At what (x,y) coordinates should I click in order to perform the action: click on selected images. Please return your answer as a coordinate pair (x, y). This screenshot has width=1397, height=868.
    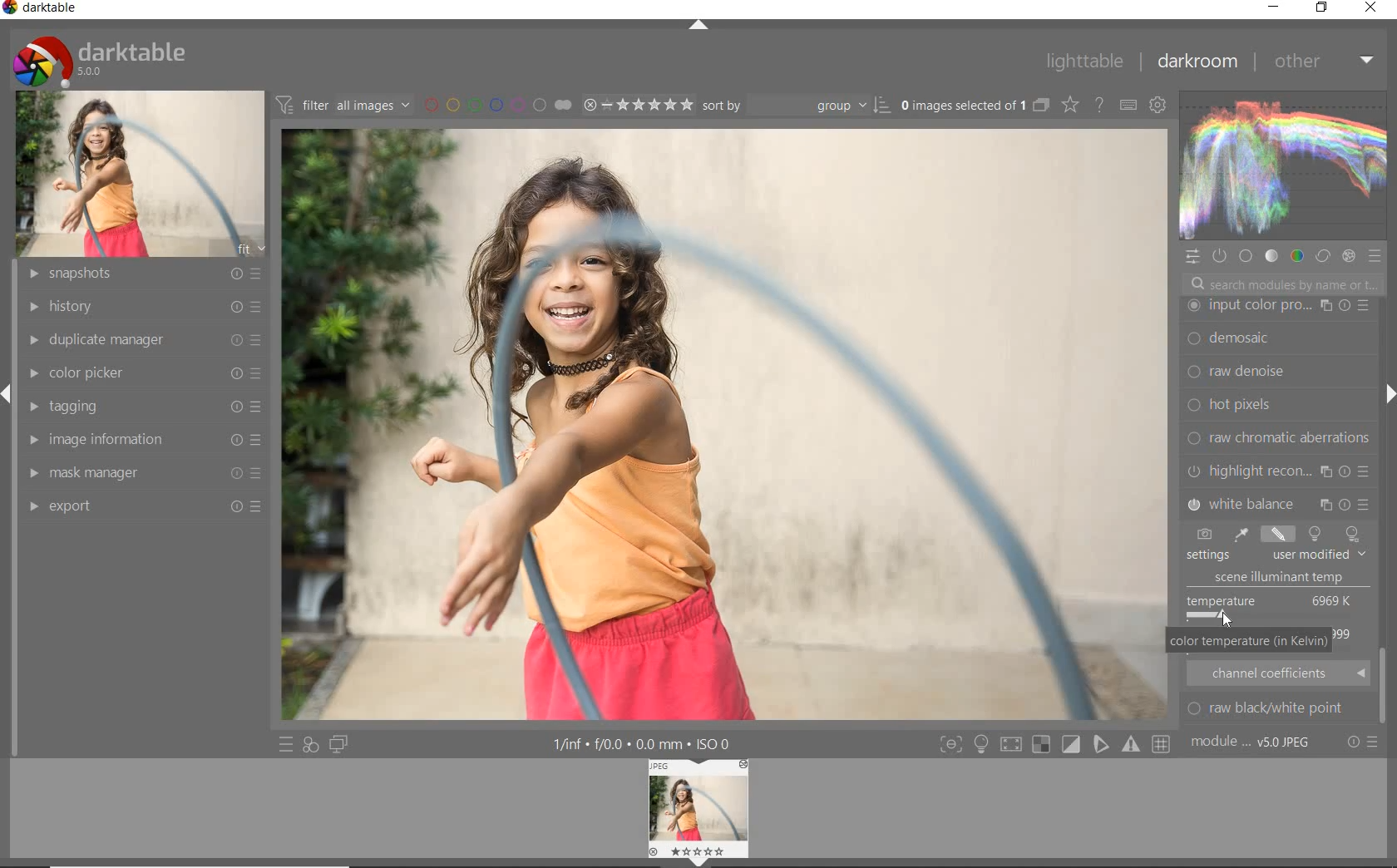
    Looking at the image, I should click on (961, 105).